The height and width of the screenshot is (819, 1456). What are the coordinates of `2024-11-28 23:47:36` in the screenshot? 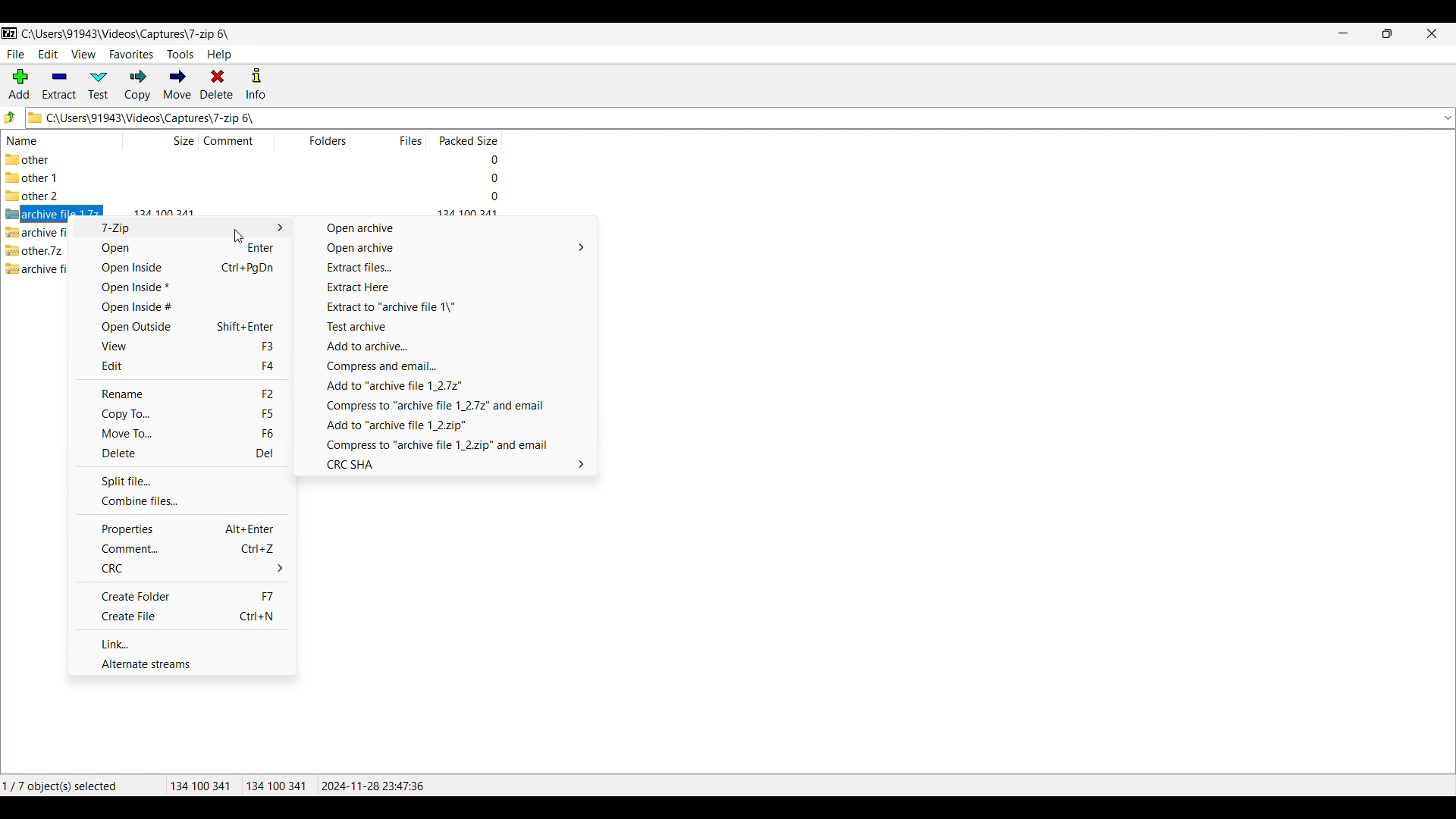 It's located at (376, 786).